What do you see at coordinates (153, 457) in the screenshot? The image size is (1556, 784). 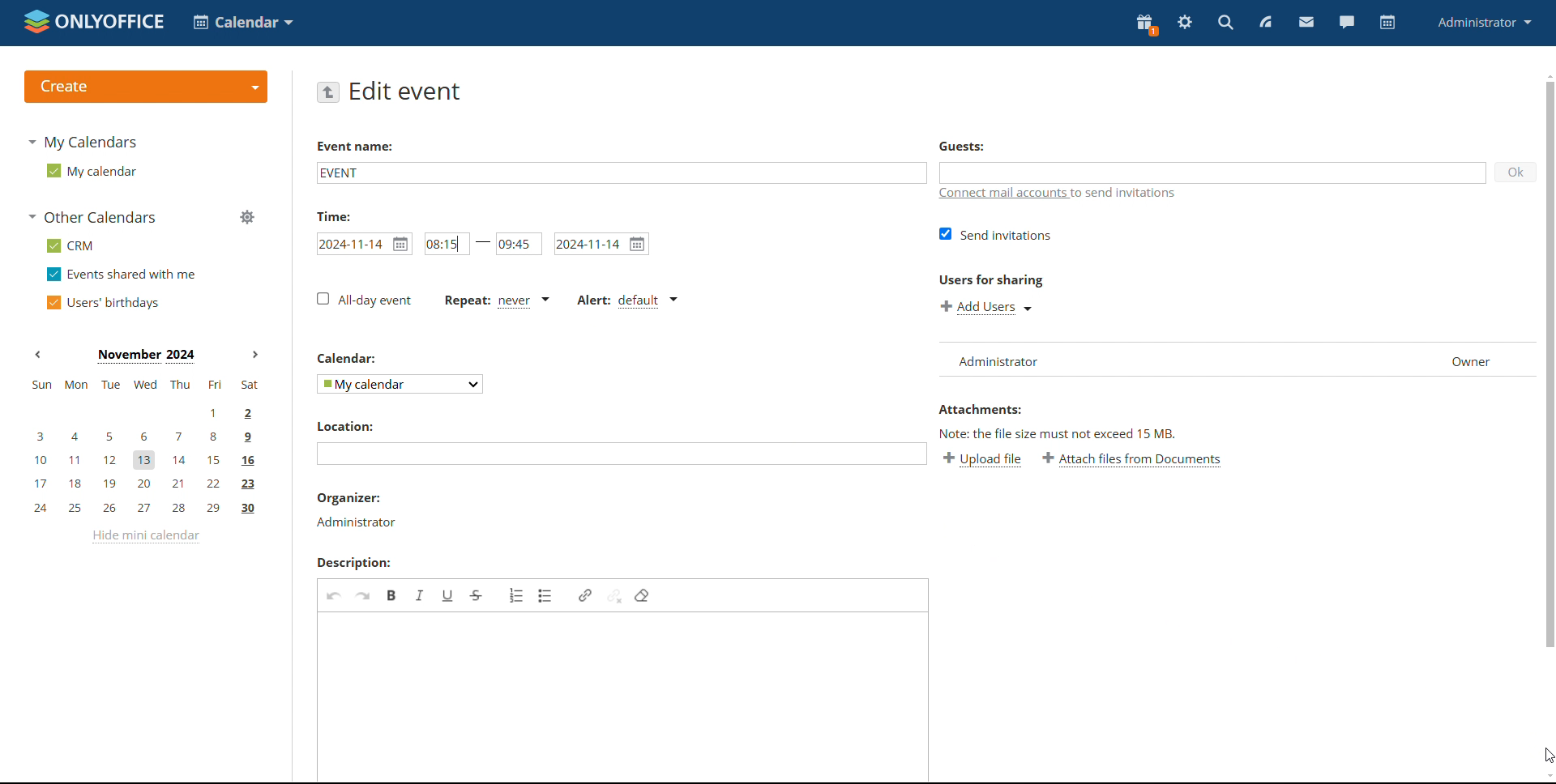 I see `10, 11, 12, 13, 14, 15, 16` at bounding box center [153, 457].